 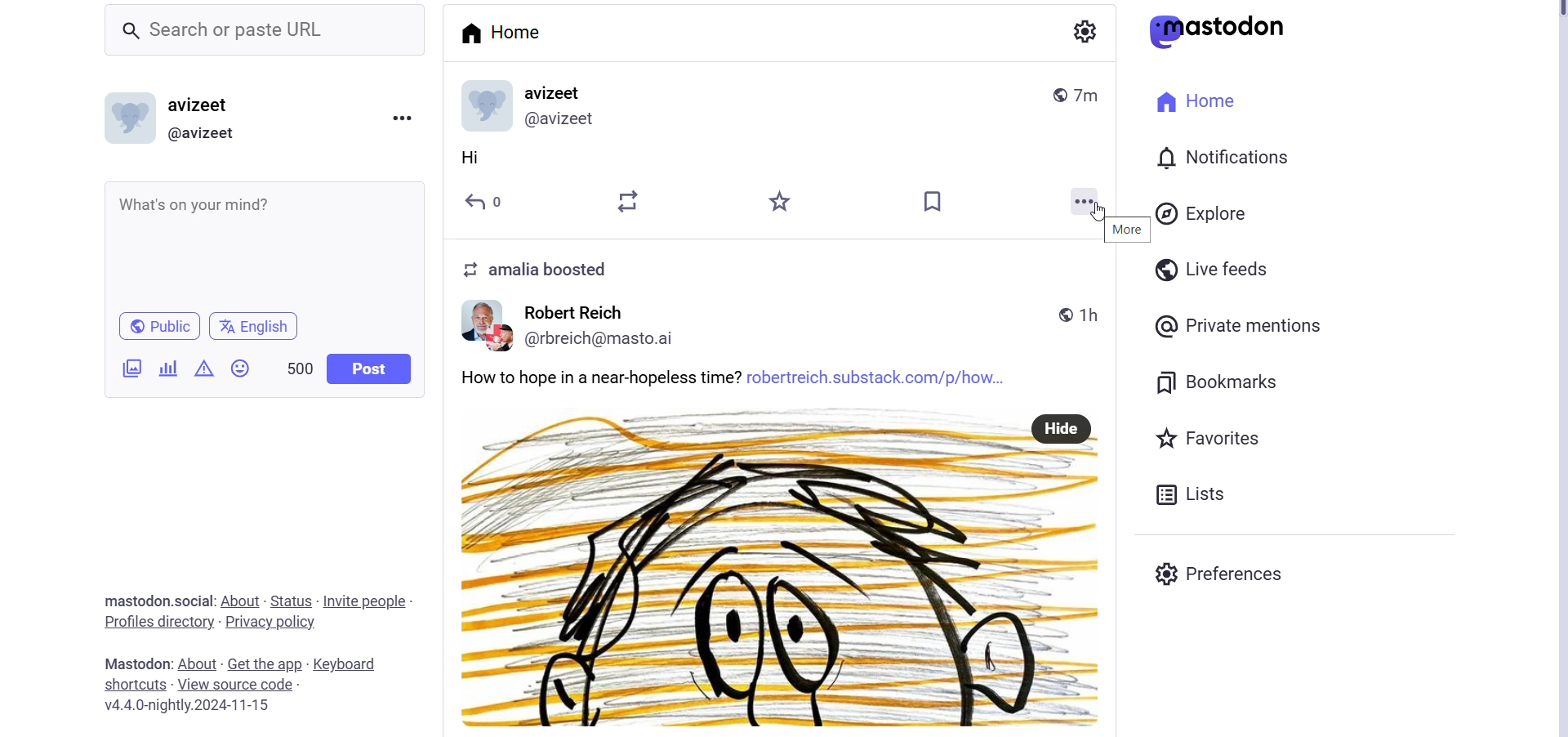 I want to click on Keyboard, so click(x=350, y=664).